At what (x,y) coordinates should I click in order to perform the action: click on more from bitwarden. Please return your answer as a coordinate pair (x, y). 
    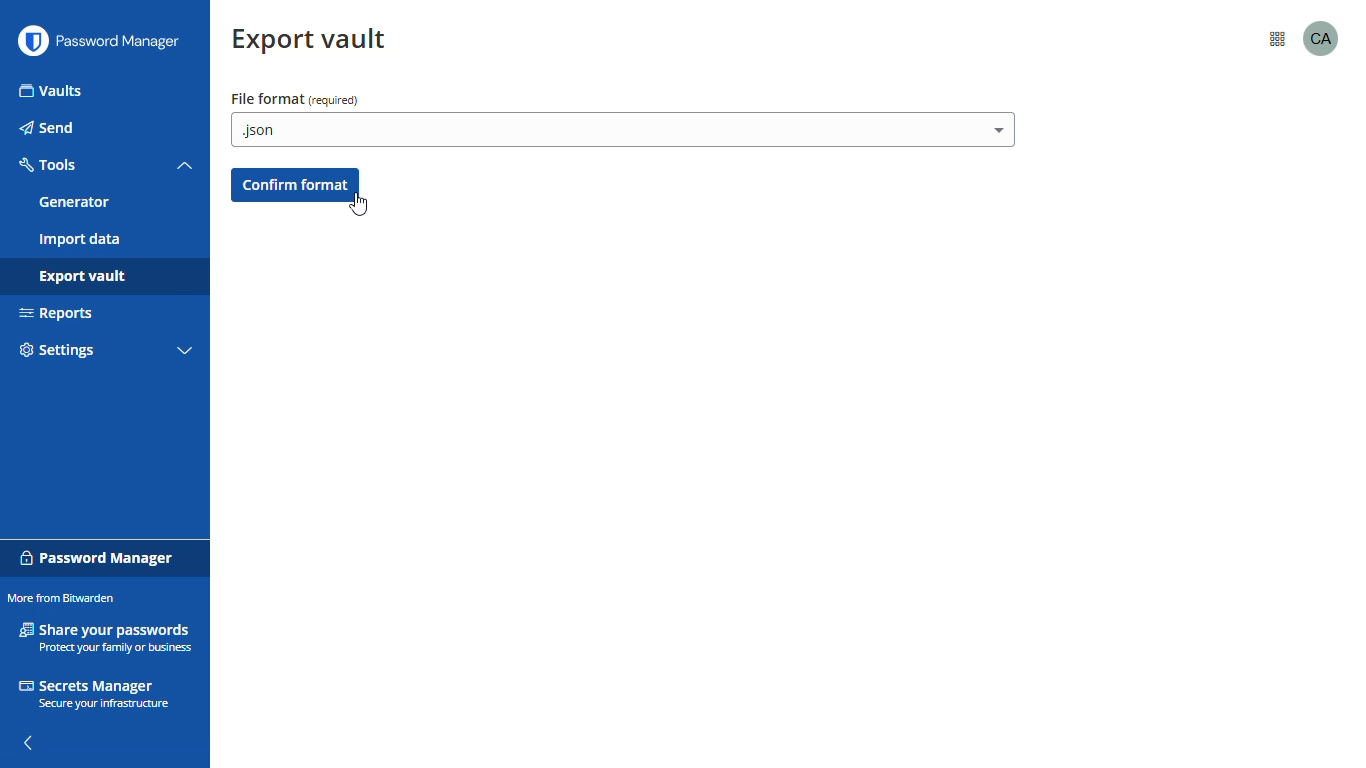
    Looking at the image, I should click on (63, 597).